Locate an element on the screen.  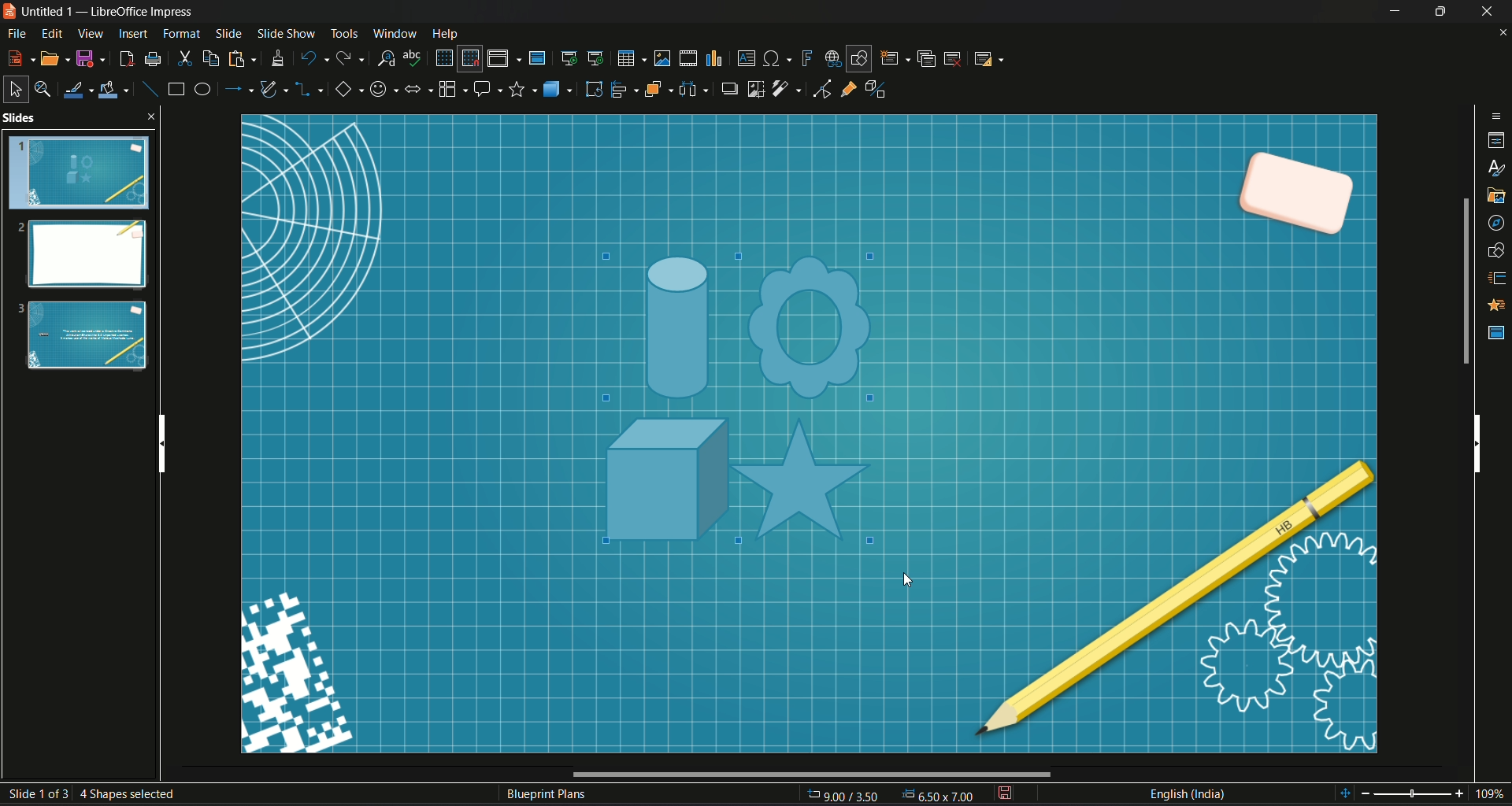
cursor is located at coordinates (908, 580).